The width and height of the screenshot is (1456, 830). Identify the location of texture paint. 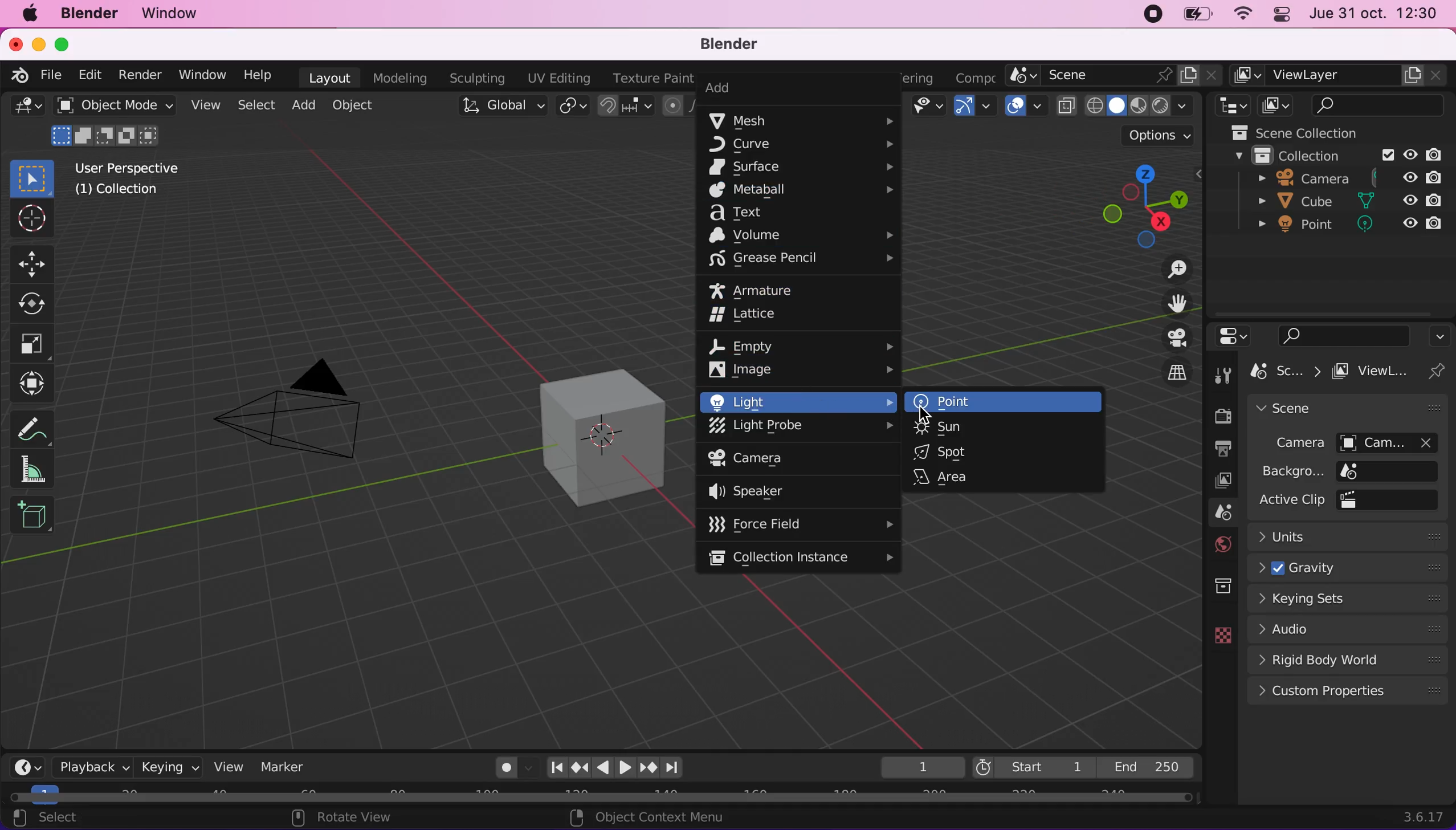
(649, 78).